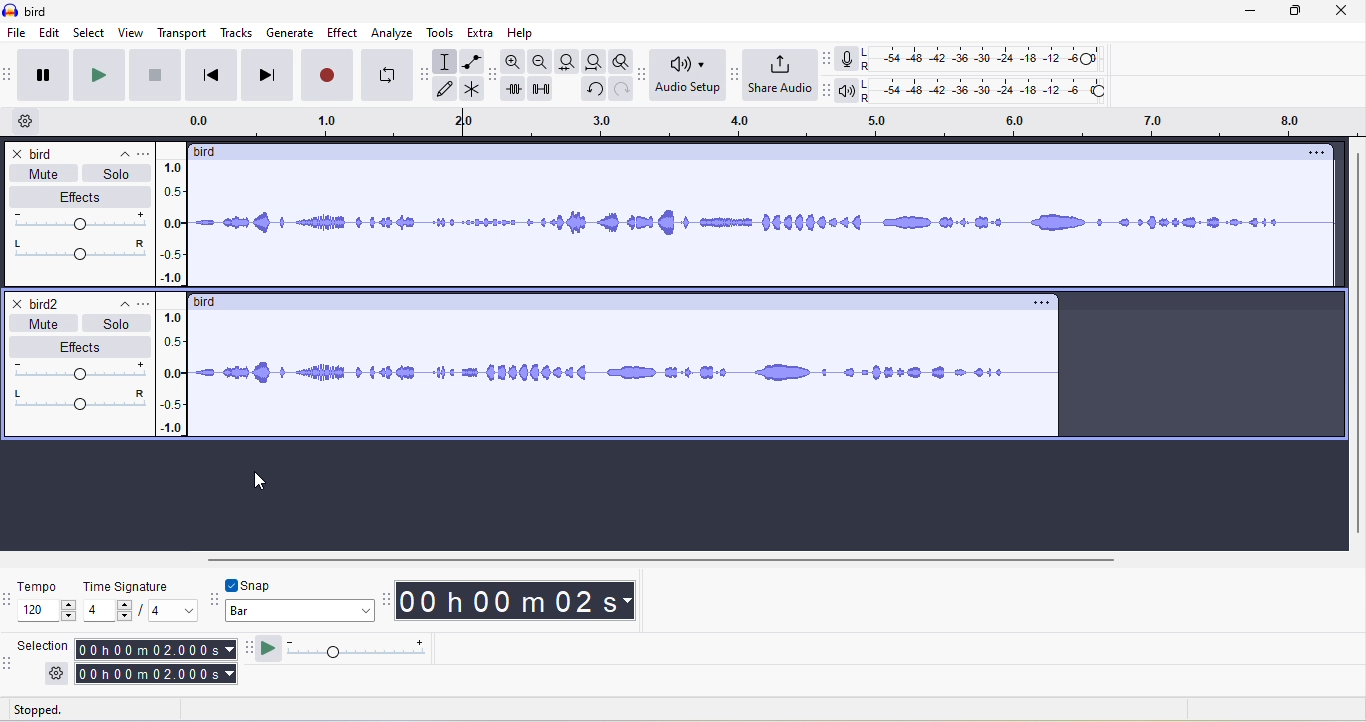 This screenshot has height=722, width=1366. Describe the element at coordinates (447, 90) in the screenshot. I see `draw tool` at that location.